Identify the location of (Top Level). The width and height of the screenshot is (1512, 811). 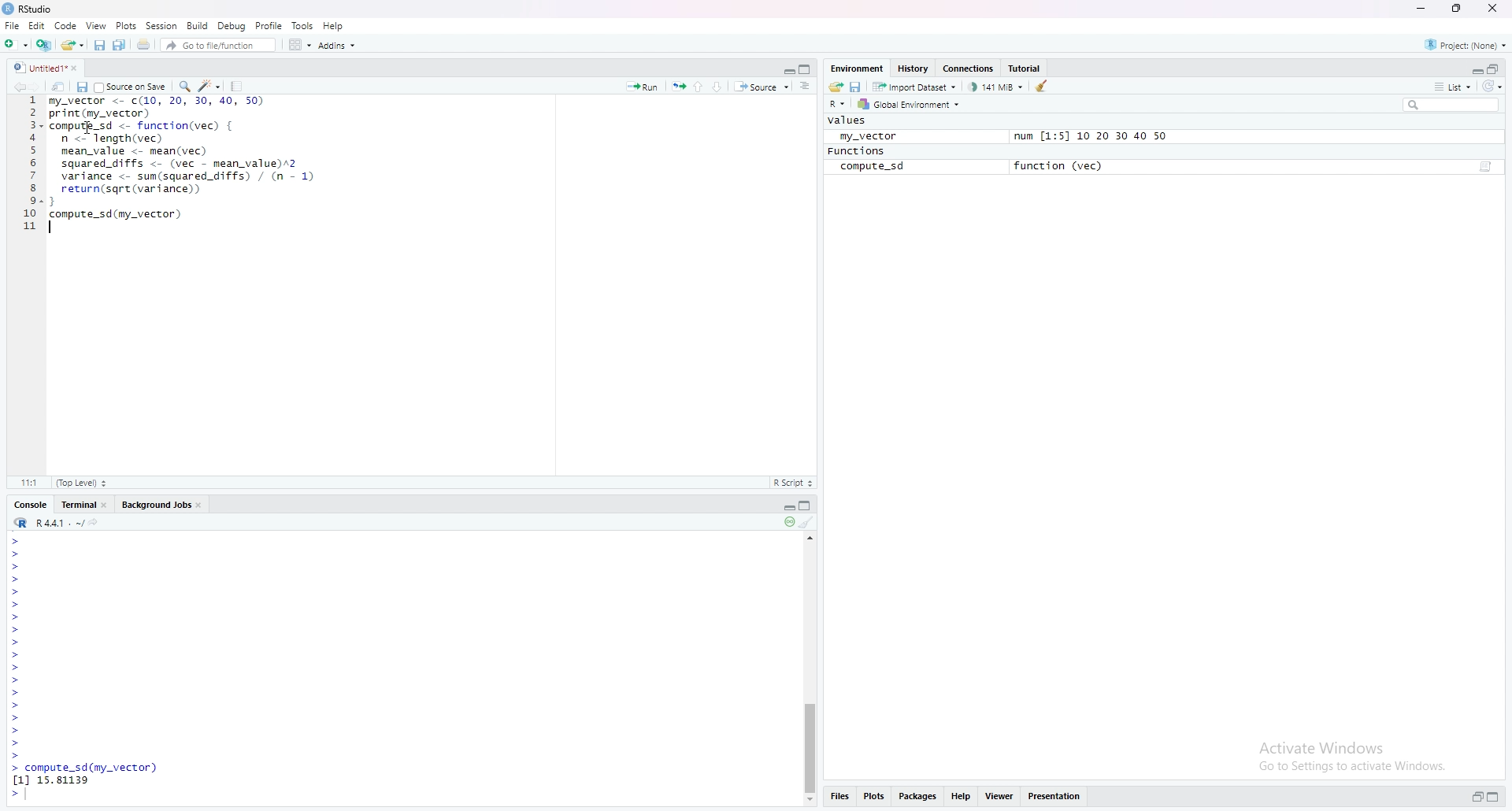
(80, 483).